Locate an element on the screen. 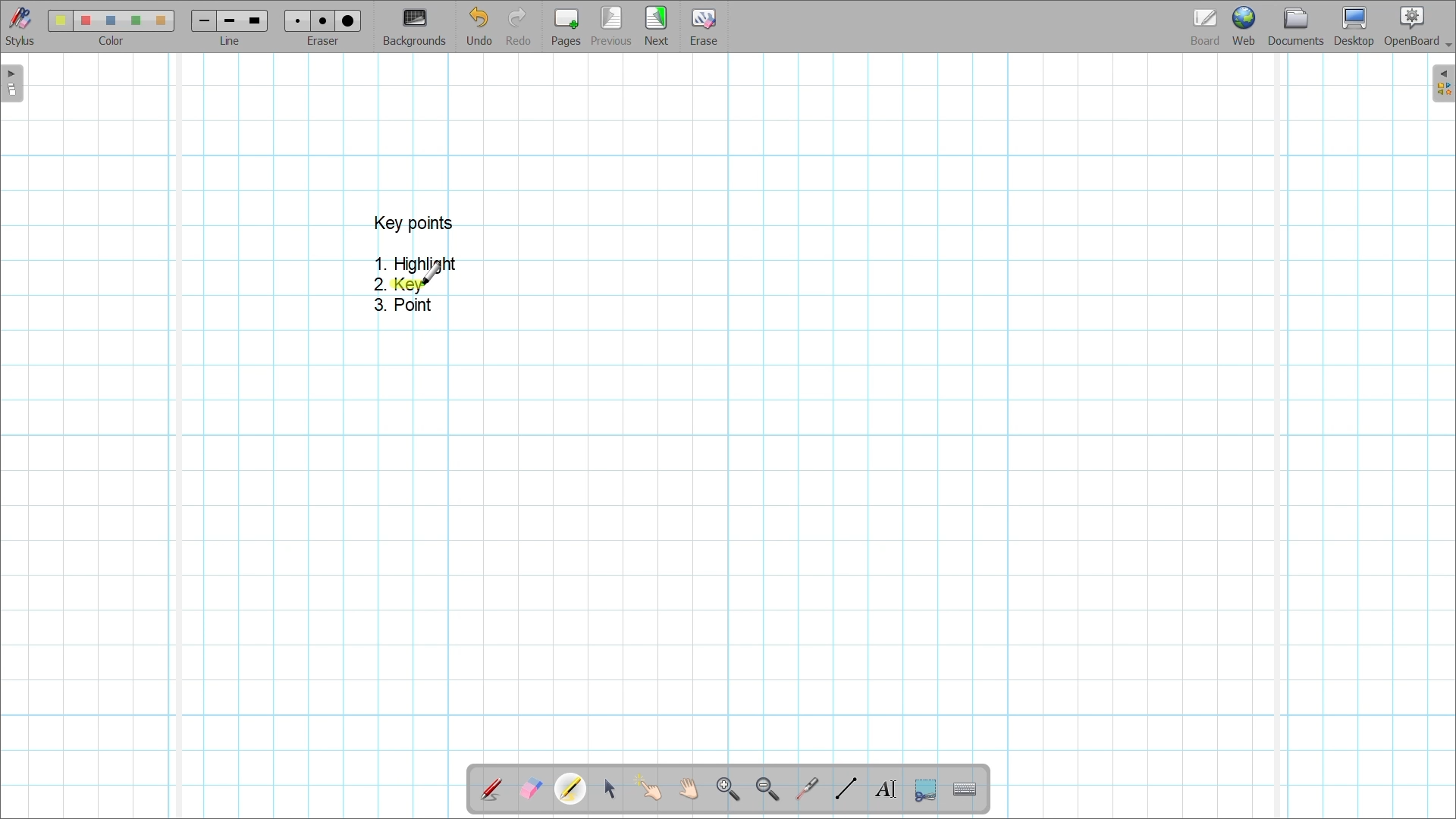 The image size is (1456, 819). Right sidebar is located at coordinates (1443, 83).